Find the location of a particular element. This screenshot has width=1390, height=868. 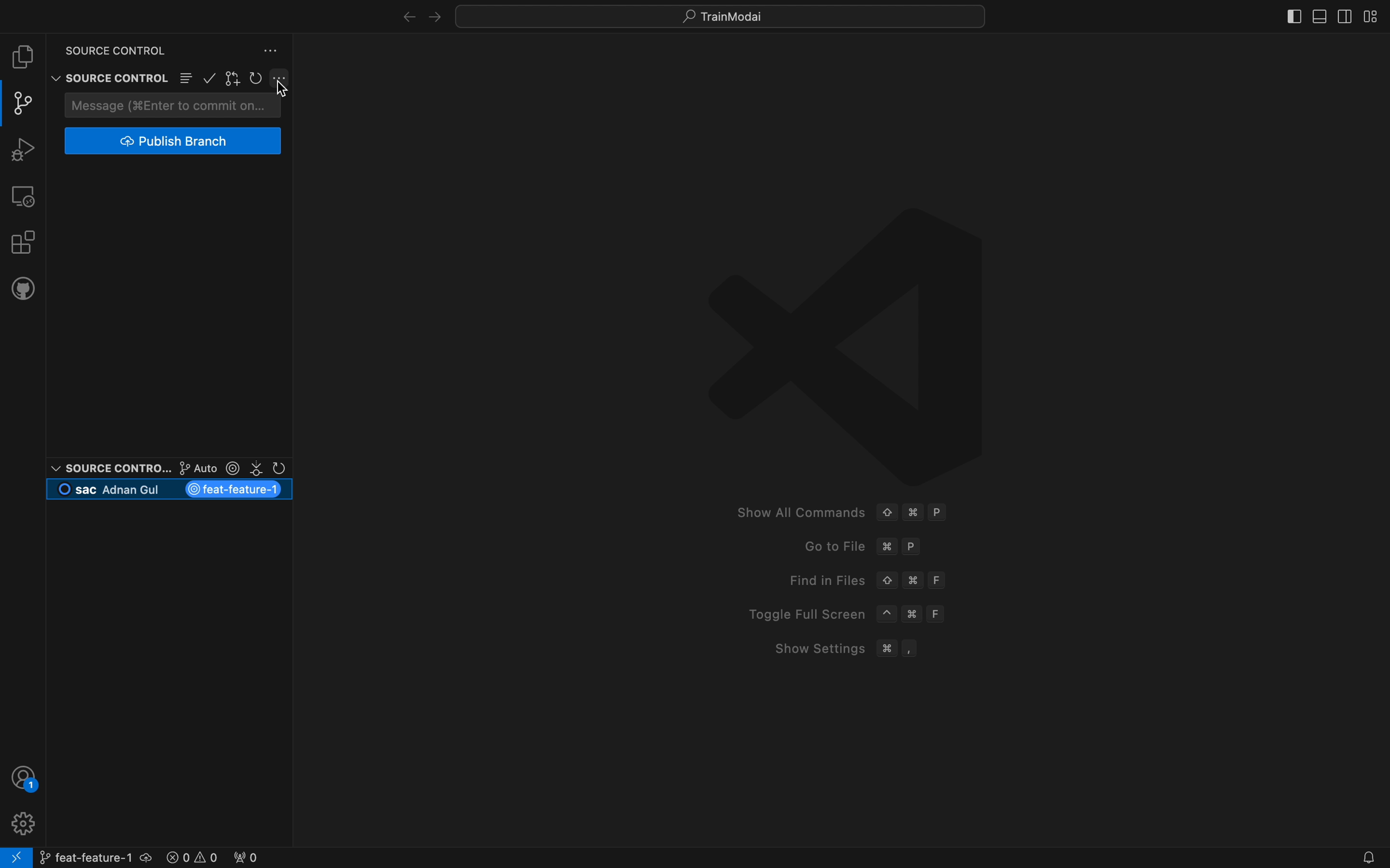

confirm is located at coordinates (211, 80).